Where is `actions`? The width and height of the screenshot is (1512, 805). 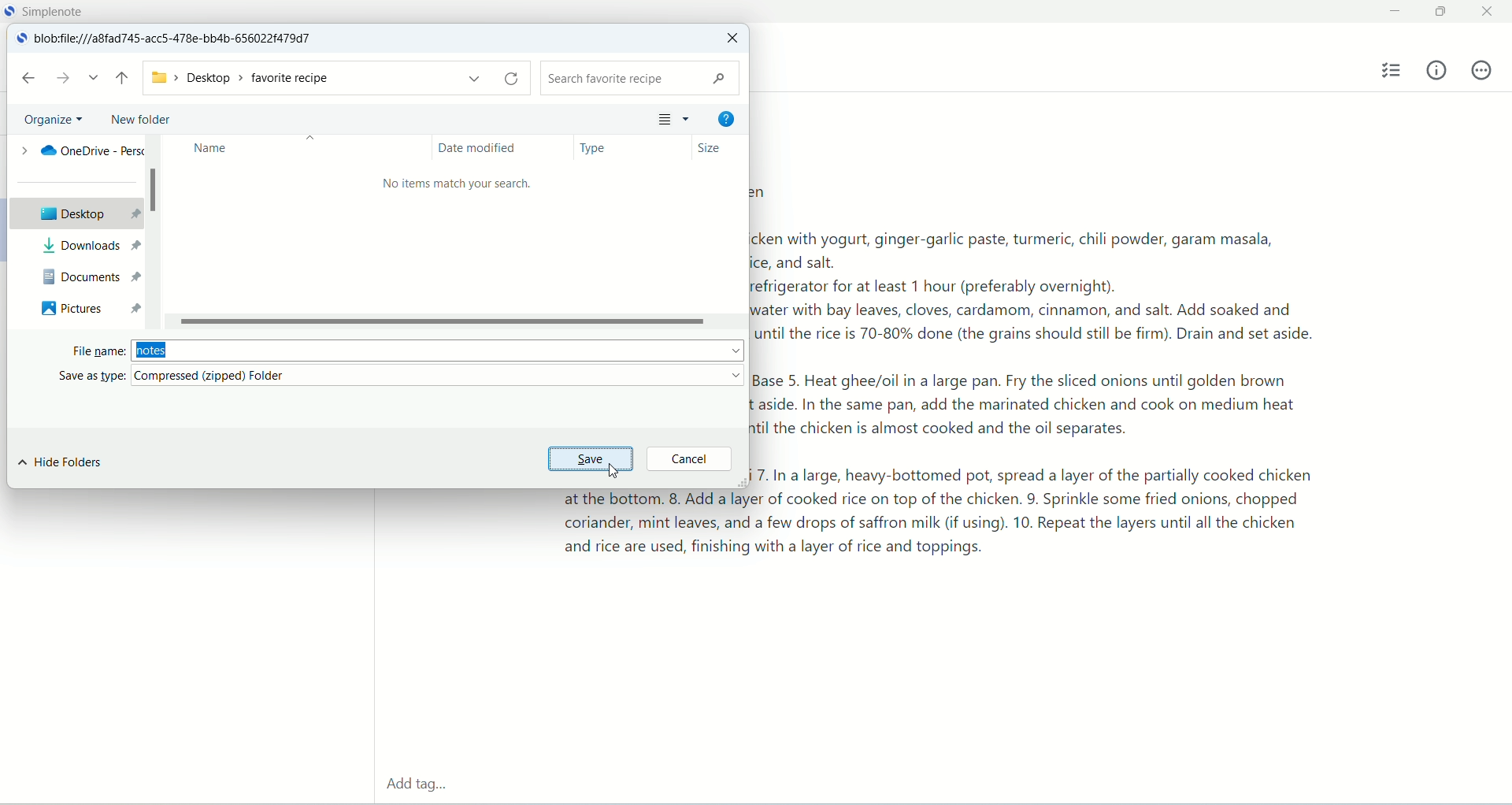 actions is located at coordinates (1481, 70).